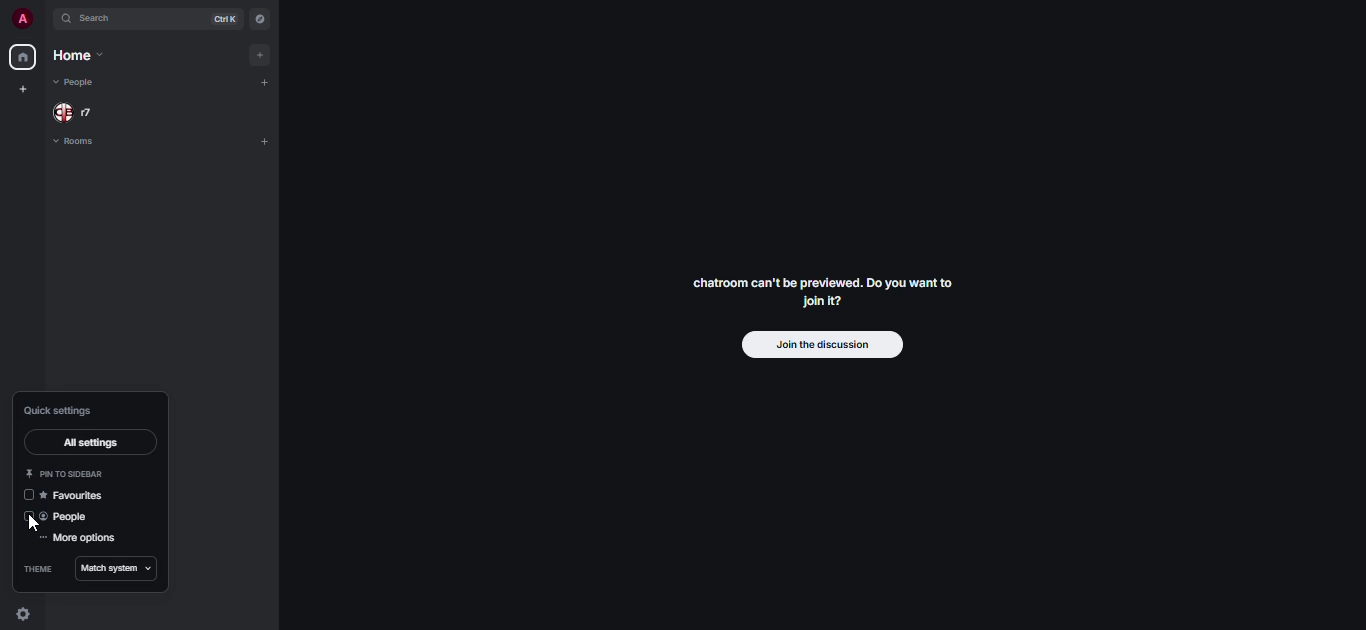 The image size is (1366, 630). Describe the element at coordinates (77, 57) in the screenshot. I see `home` at that location.